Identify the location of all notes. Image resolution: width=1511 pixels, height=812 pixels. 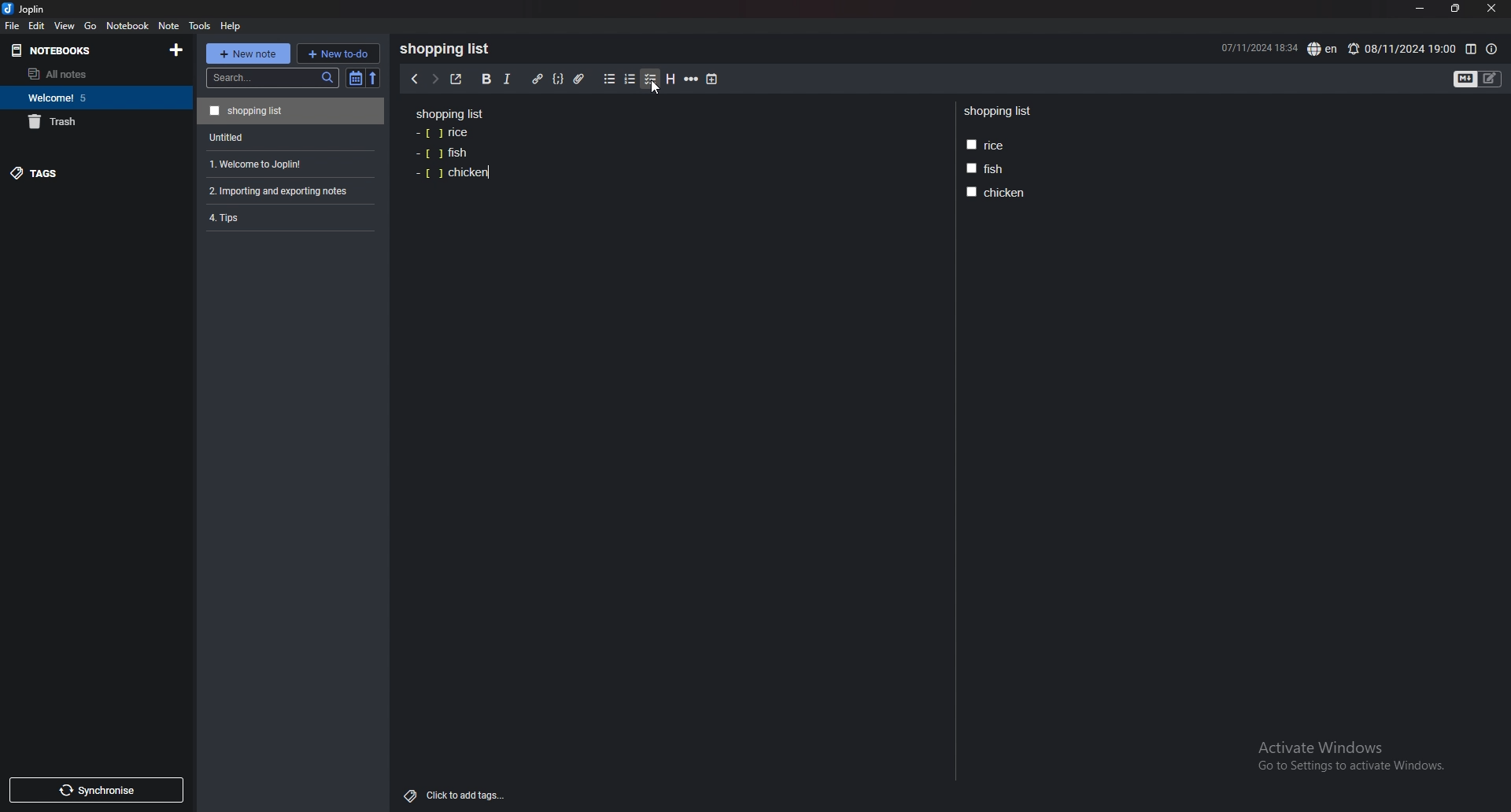
(89, 74).